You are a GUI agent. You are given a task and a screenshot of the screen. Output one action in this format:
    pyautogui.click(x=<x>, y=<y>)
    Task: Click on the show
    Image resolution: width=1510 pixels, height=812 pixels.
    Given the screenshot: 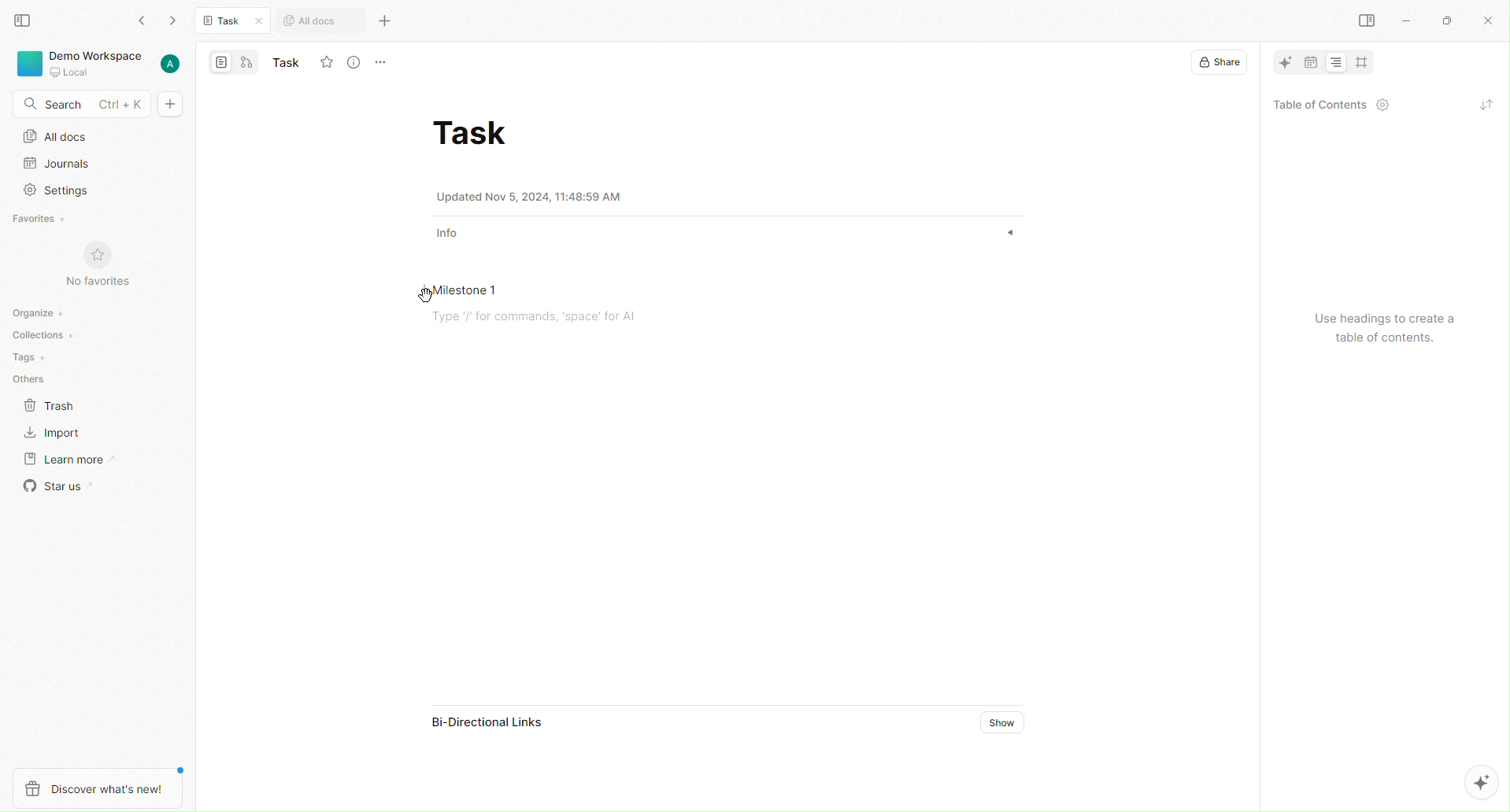 What is the action you would take?
    pyautogui.click(x=1000, y=231)
    